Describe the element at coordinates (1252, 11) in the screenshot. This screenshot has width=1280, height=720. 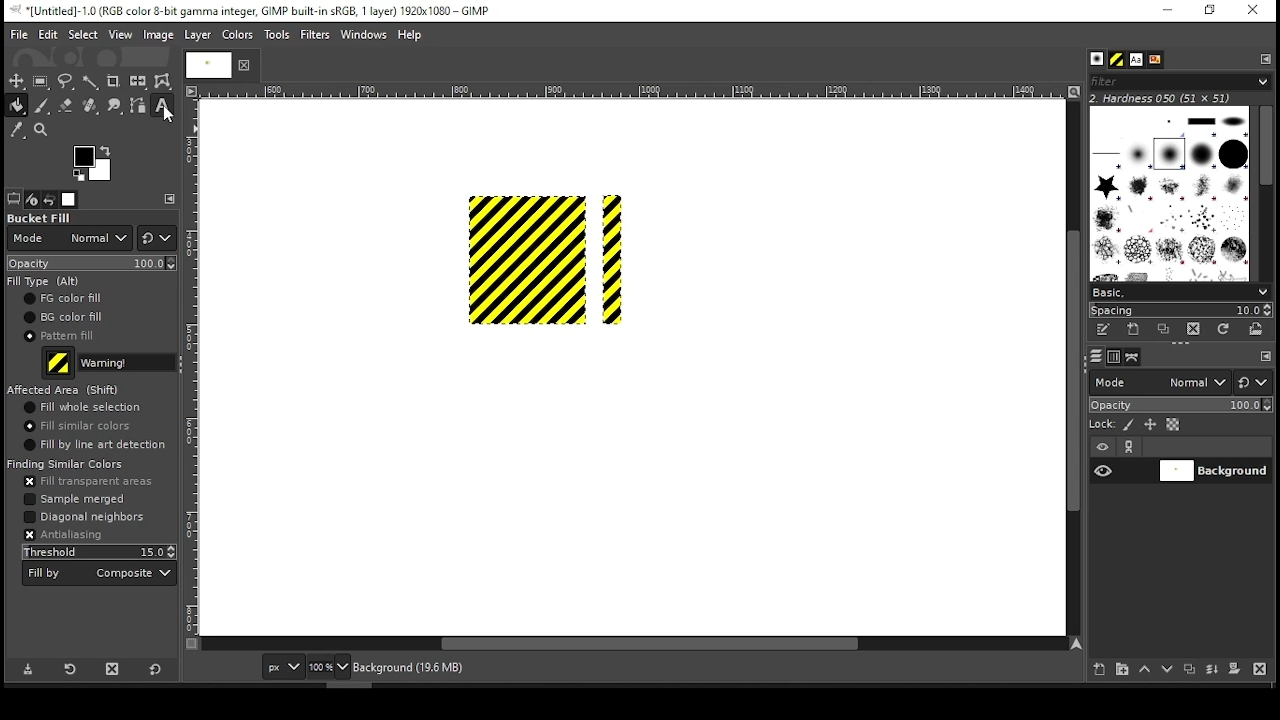
I see `close window` at that location.